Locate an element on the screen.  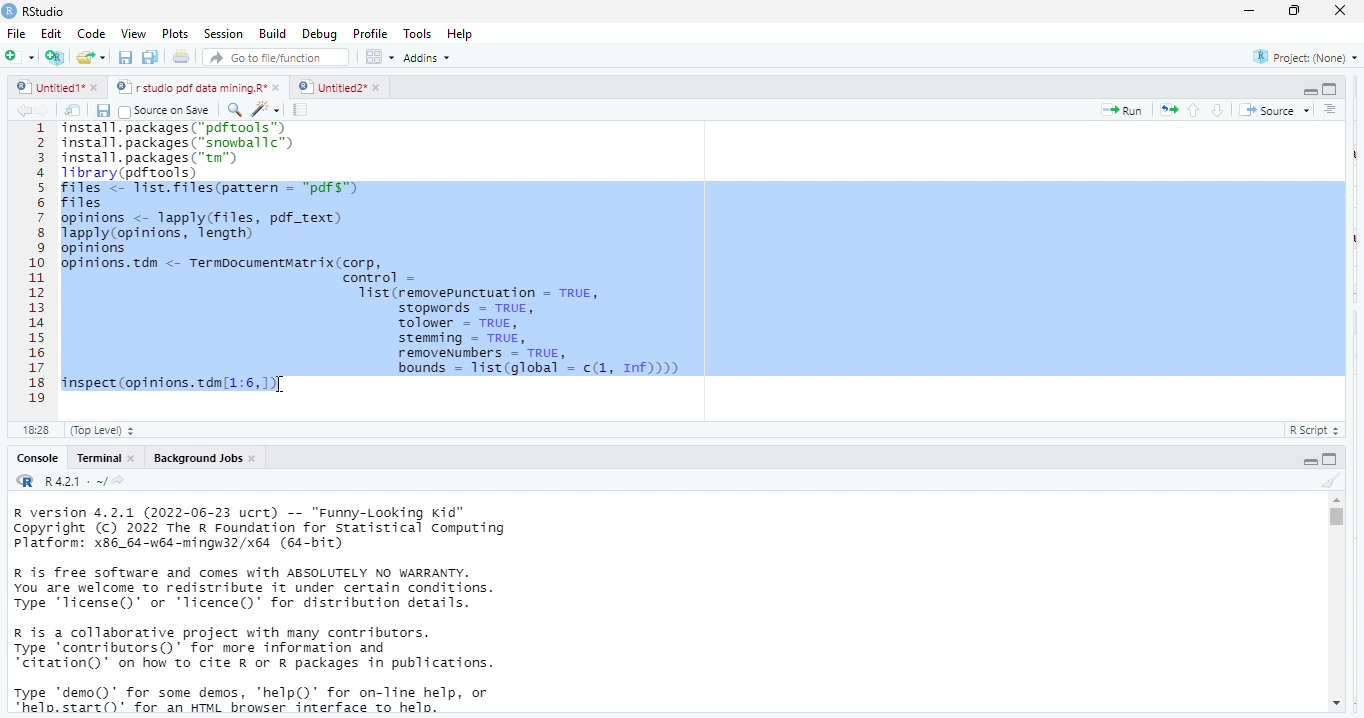
go to next section/chunk is located at coordinates (1219, 110).